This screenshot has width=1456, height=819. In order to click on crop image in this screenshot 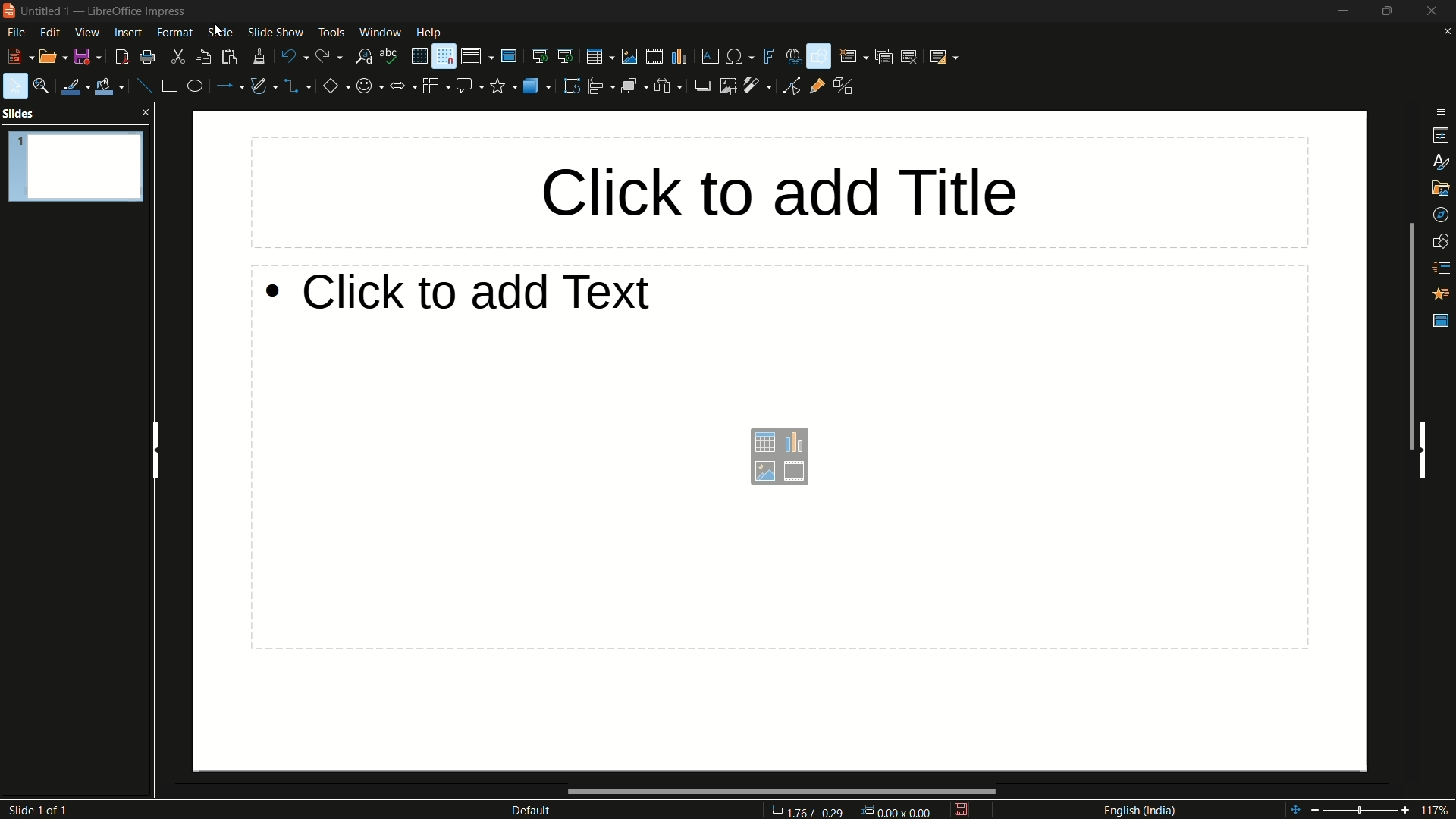, I will do `click(730, 87)`.